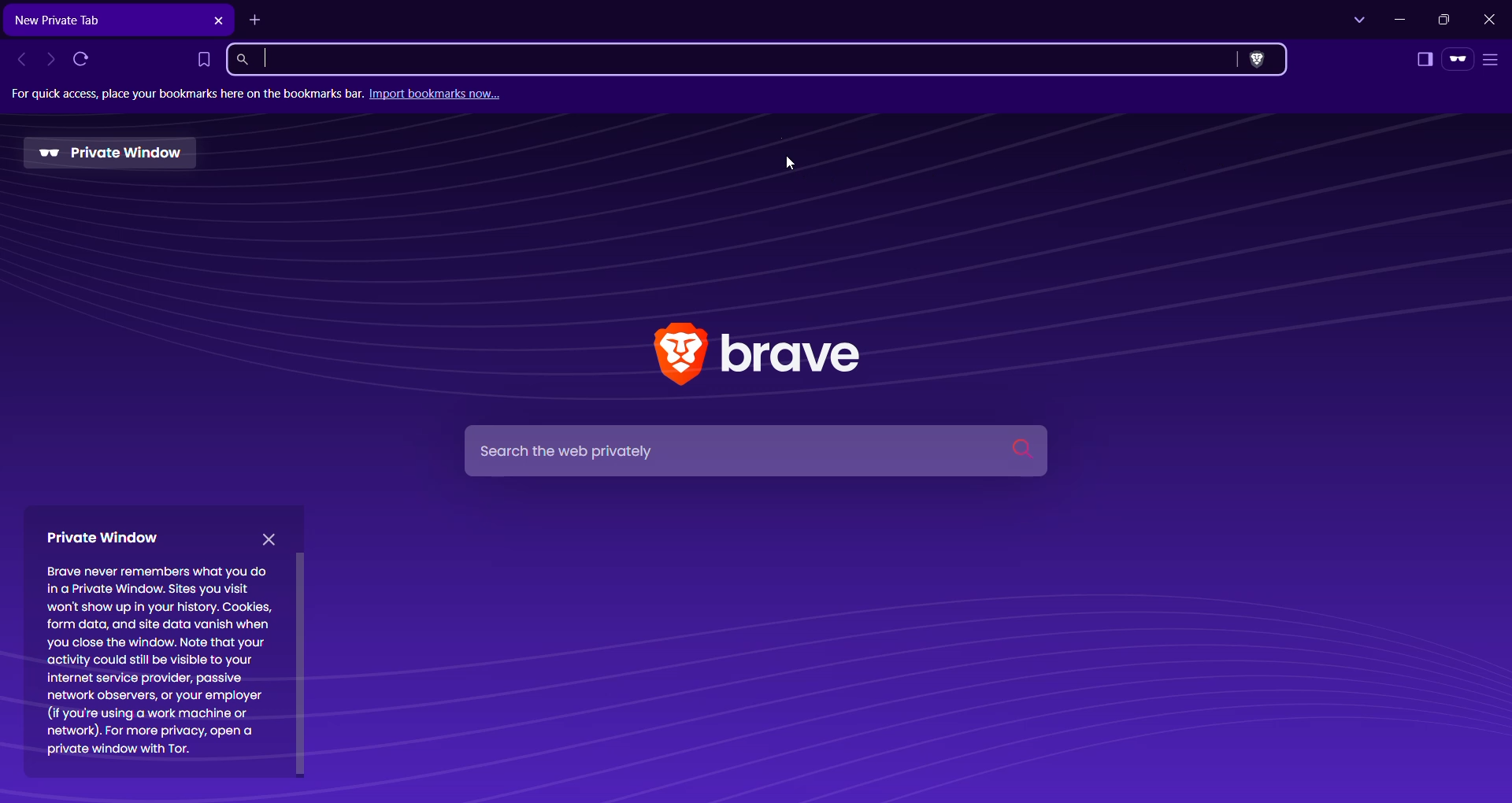  What do you see at coordinates (1486, 20) in the screenshot?
I see `Close` at bounding box center [1486, 20].